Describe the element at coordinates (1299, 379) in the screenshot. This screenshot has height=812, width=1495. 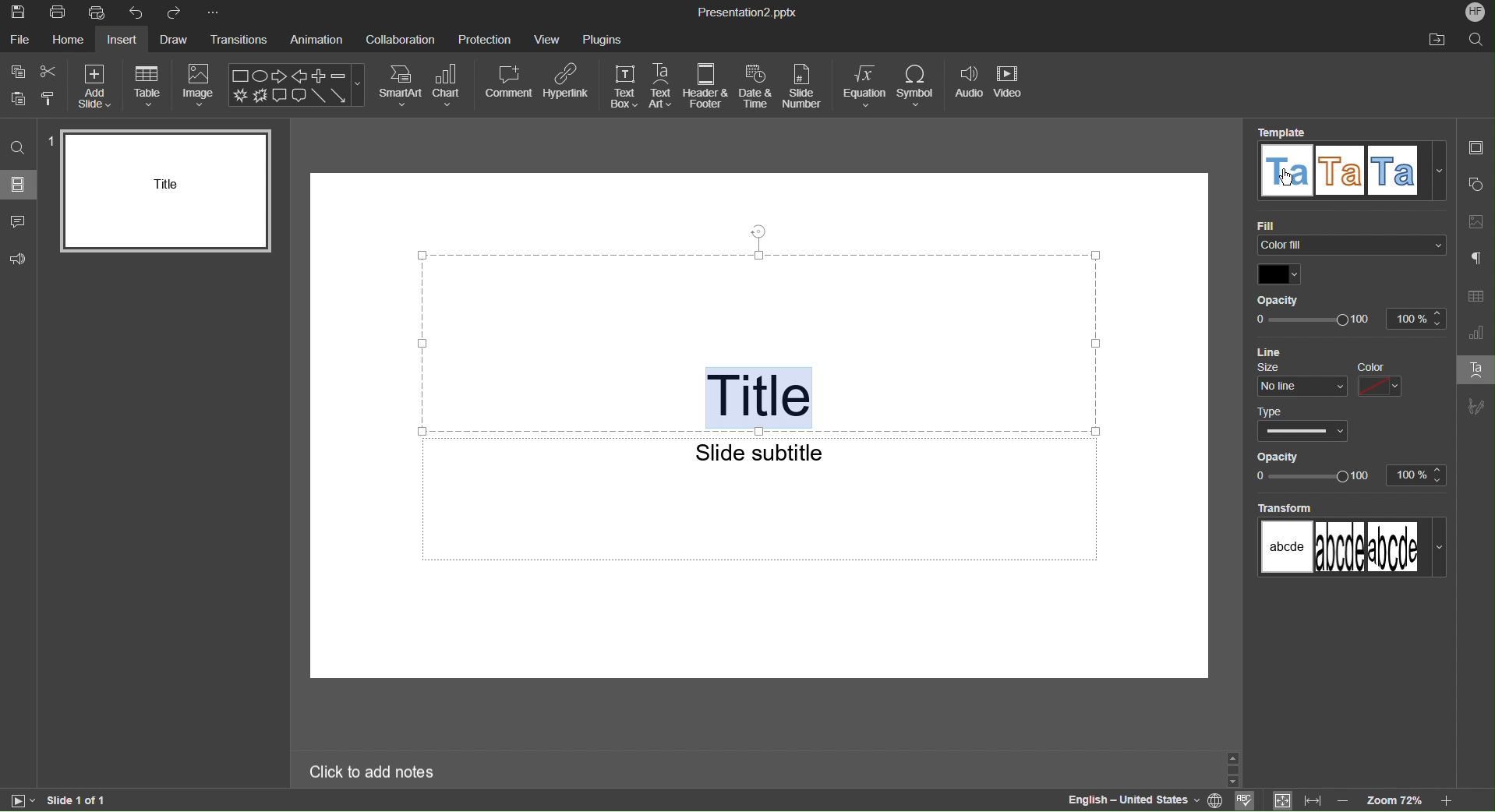
I see `Size` at that location.